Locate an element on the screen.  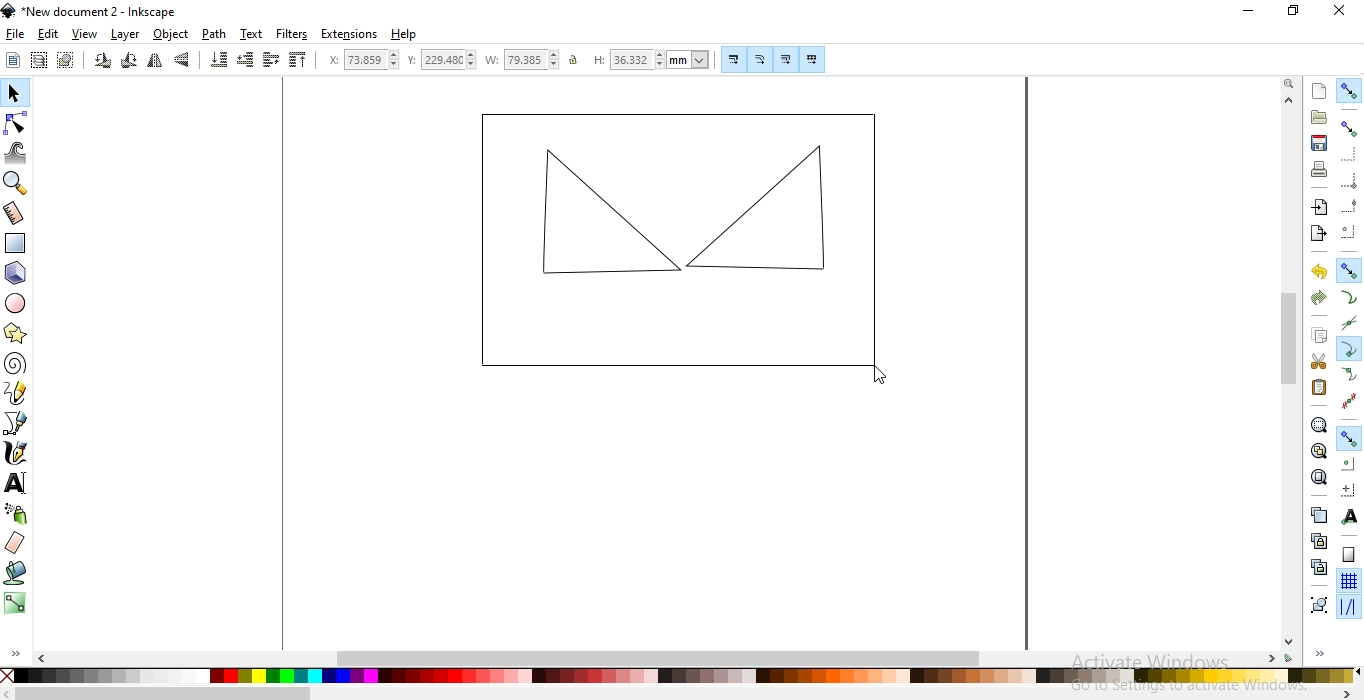
create spirals is located at coordinates (17, 364).